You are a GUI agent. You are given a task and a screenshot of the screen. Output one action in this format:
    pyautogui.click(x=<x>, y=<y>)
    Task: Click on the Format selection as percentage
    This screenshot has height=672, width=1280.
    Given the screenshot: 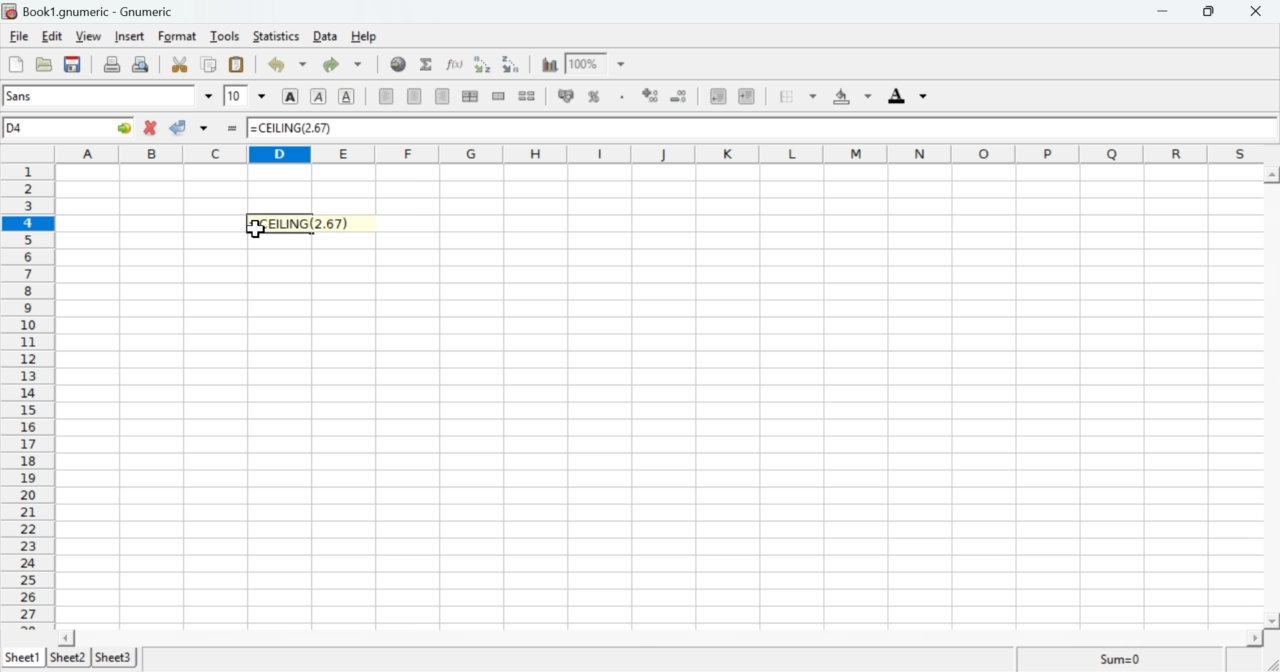 What is the action you would take?
    pyautogui.click(x=594, y=99)
    